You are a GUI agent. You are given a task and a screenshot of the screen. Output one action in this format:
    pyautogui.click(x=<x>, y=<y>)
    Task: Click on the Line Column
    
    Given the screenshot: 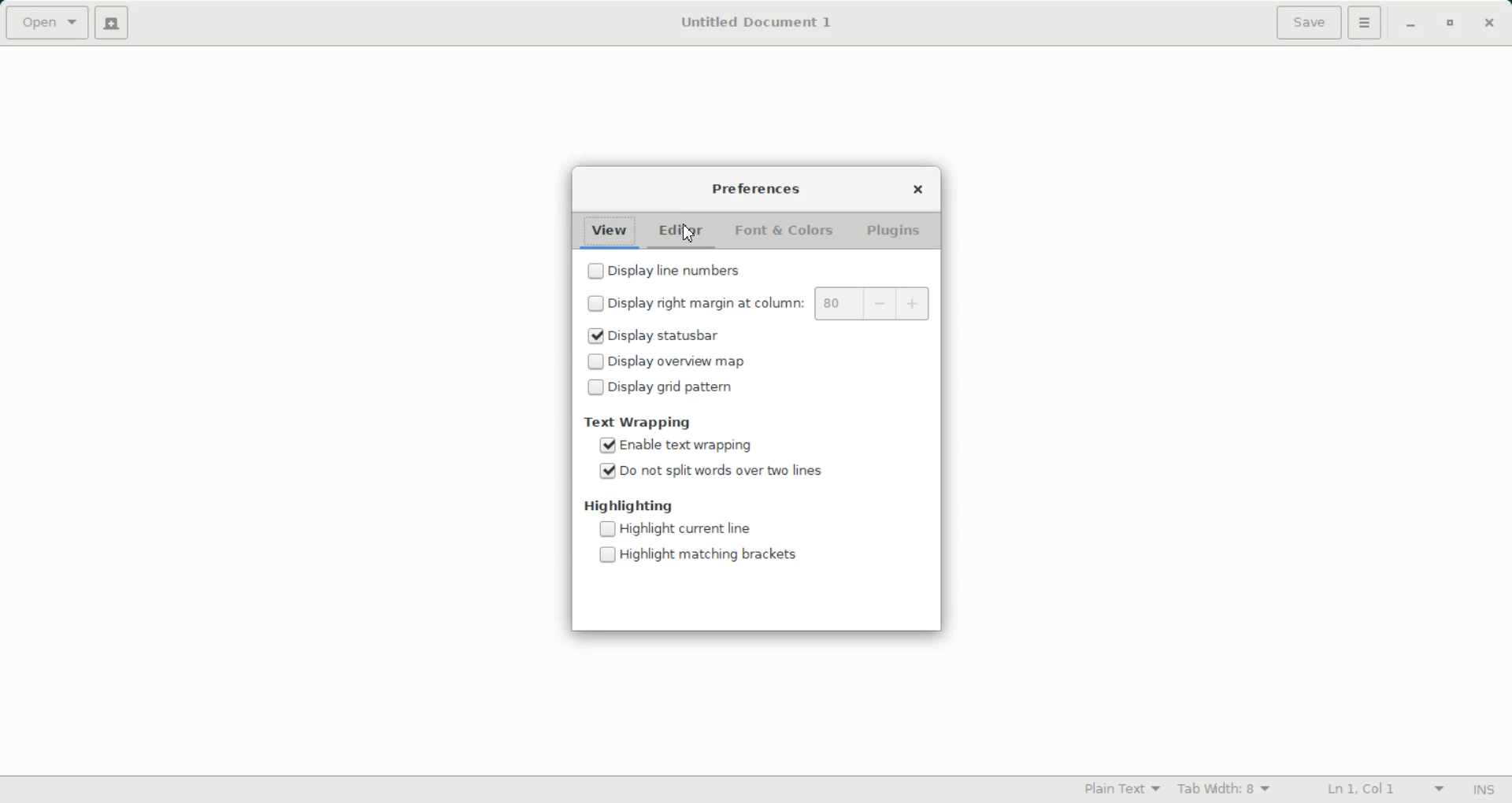 What is the action you would take?
    pyautogui.click(x=1381, y=790)
    